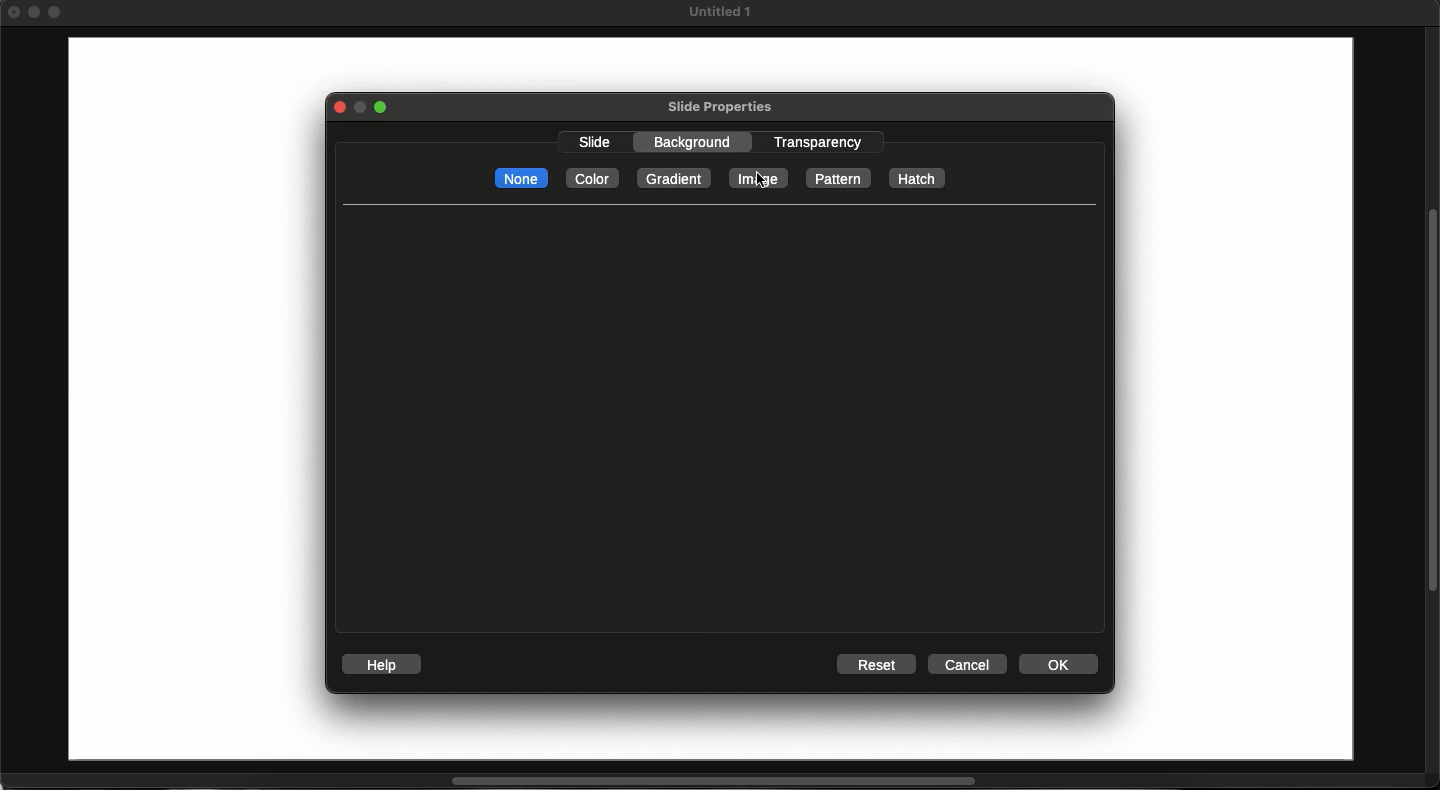 The height and width of the screenshot is (790, 1440). I want to click on Reset, so click(875, 665).